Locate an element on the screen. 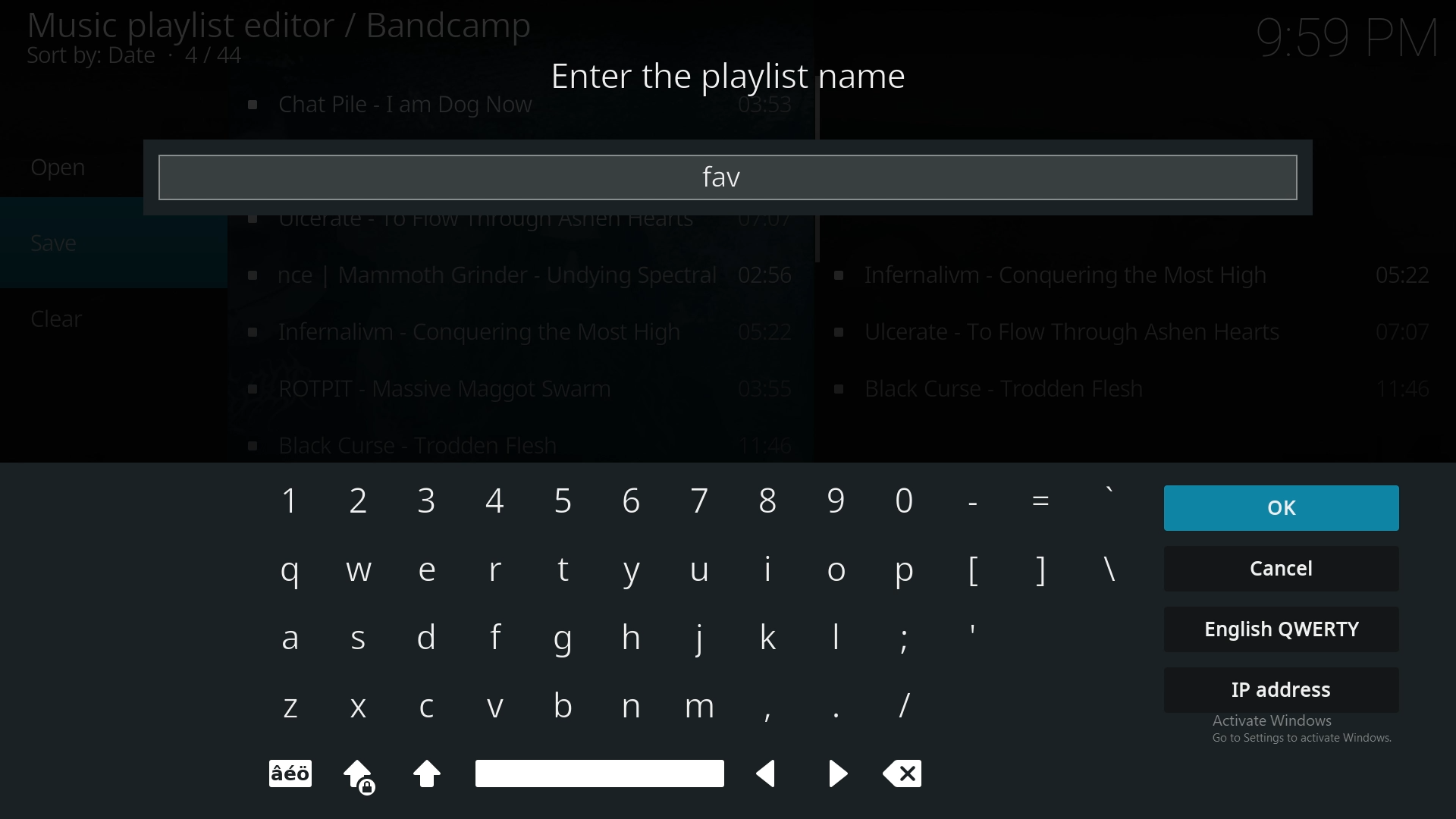 The width and height of the screenshot is (1456, 819). Save is located at coordinates (57, 243).